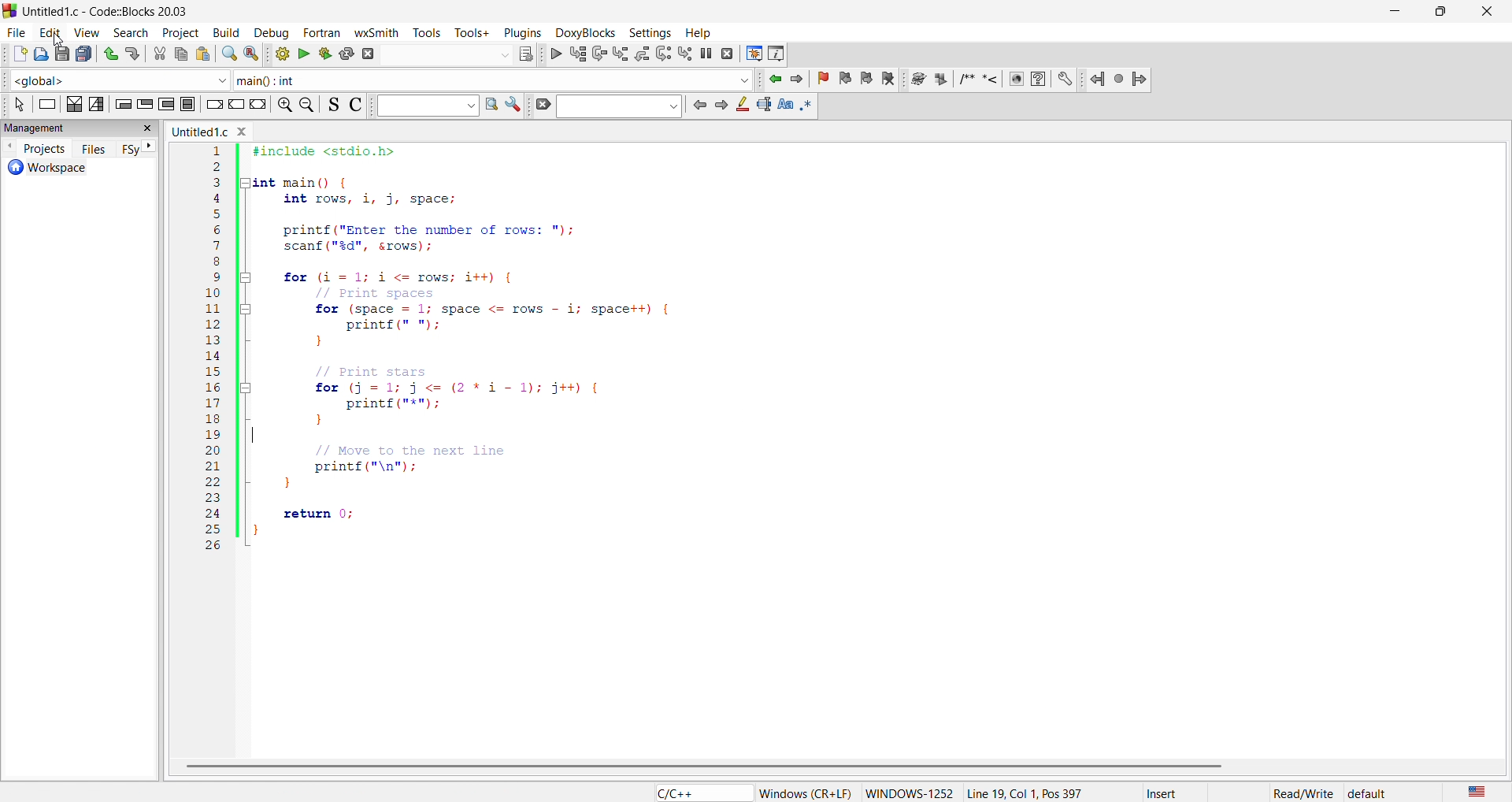 This screenshot has width=1512, height=802. What do you see at coordinates (762, 106) in the screenshot?
I see `selected text` at bounding box center [762, 106].